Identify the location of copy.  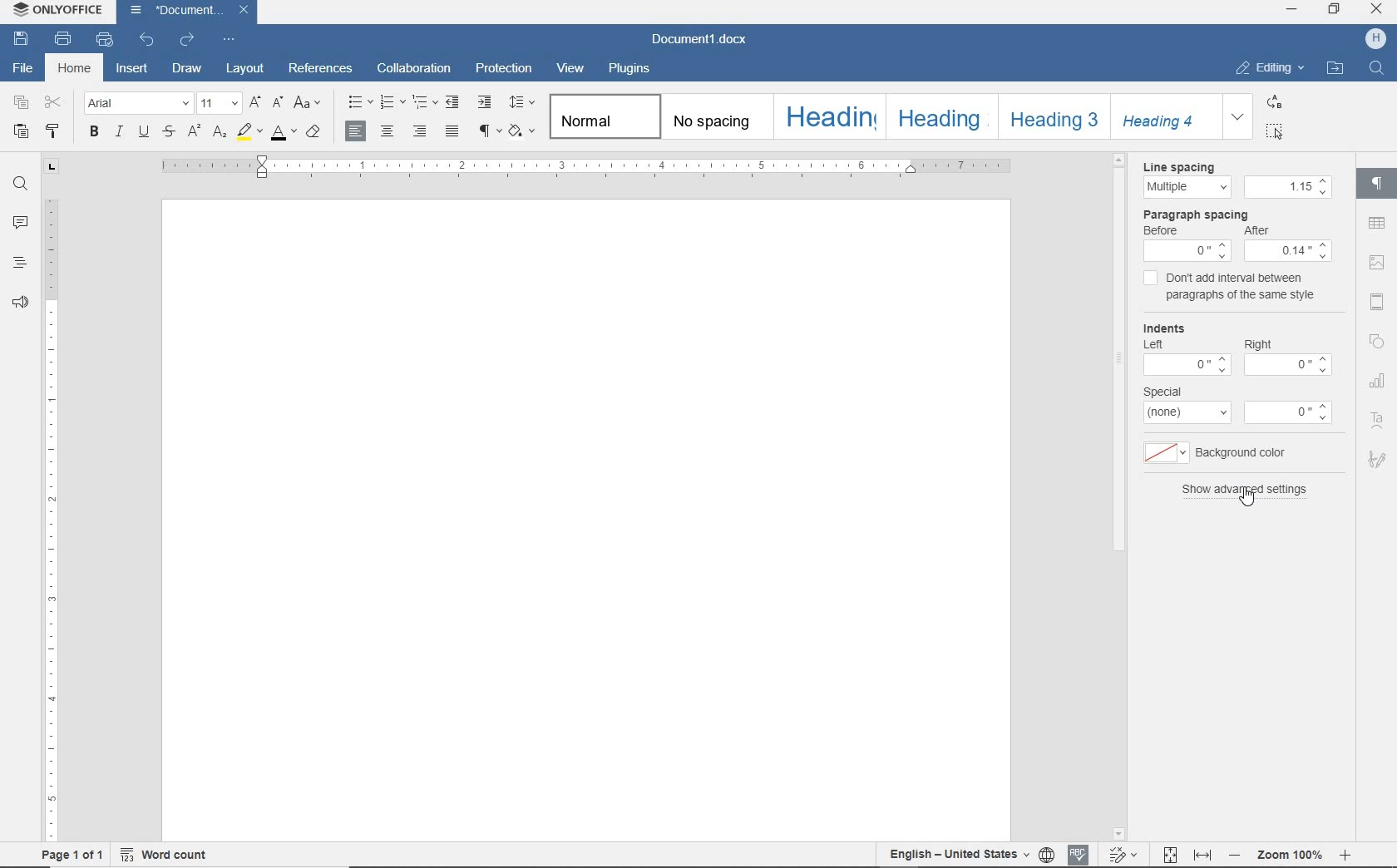
(21, 105).